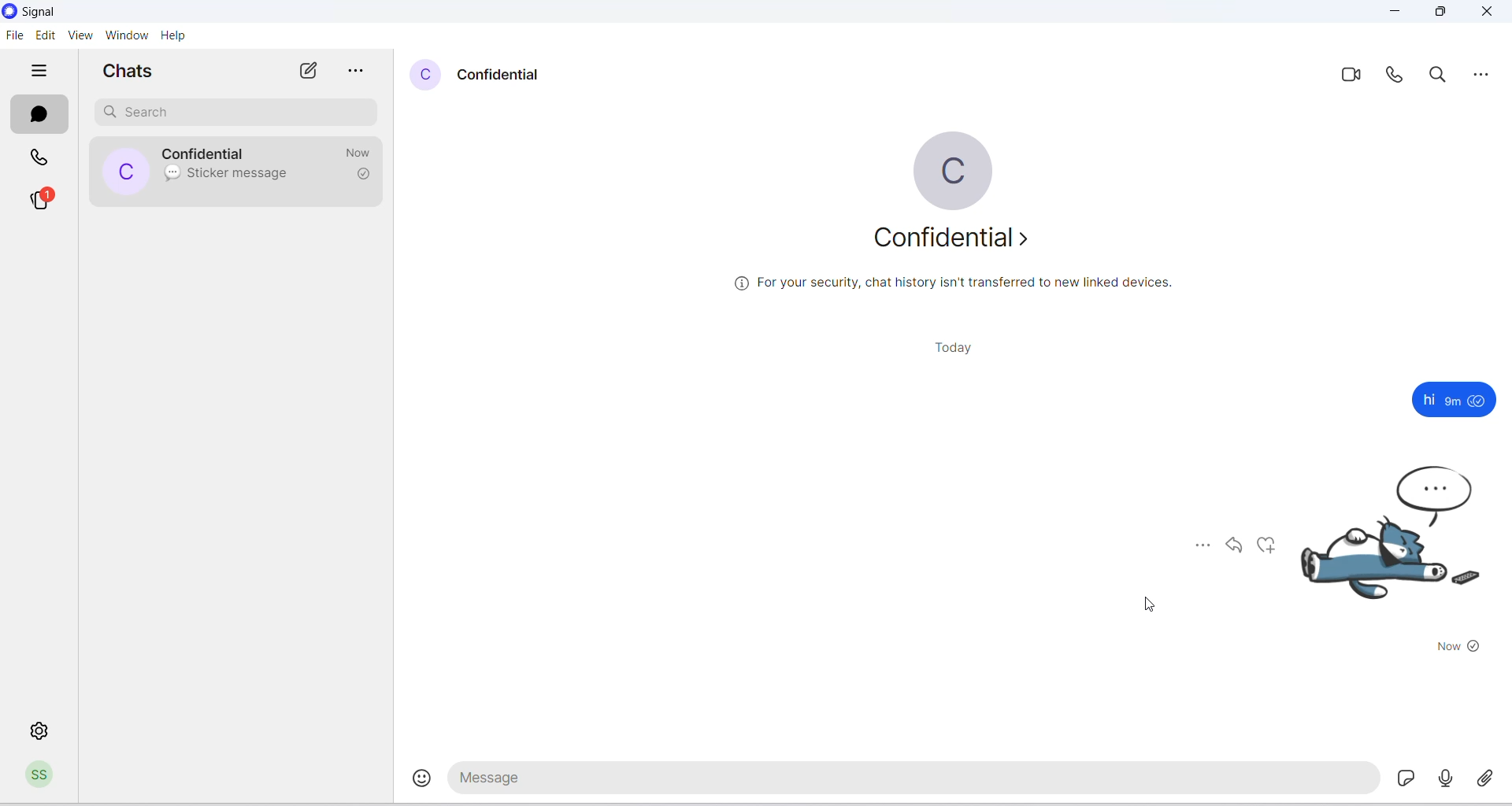 Image resolution: width=1512 pixels, height=806 pixels. I want to click on search in chat, so click(1443, 76).